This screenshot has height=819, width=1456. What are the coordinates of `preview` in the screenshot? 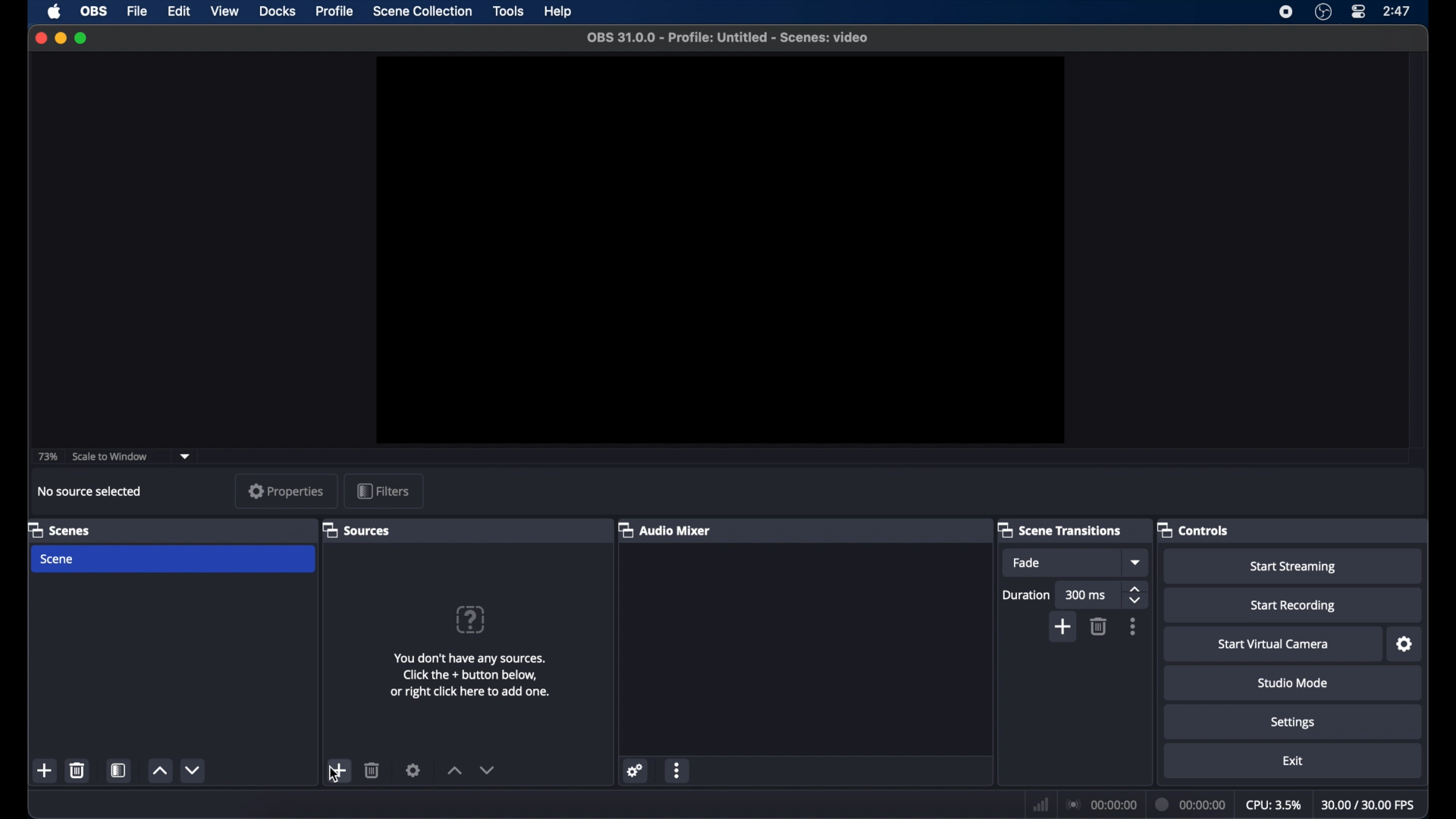 It's located at (717, 249).